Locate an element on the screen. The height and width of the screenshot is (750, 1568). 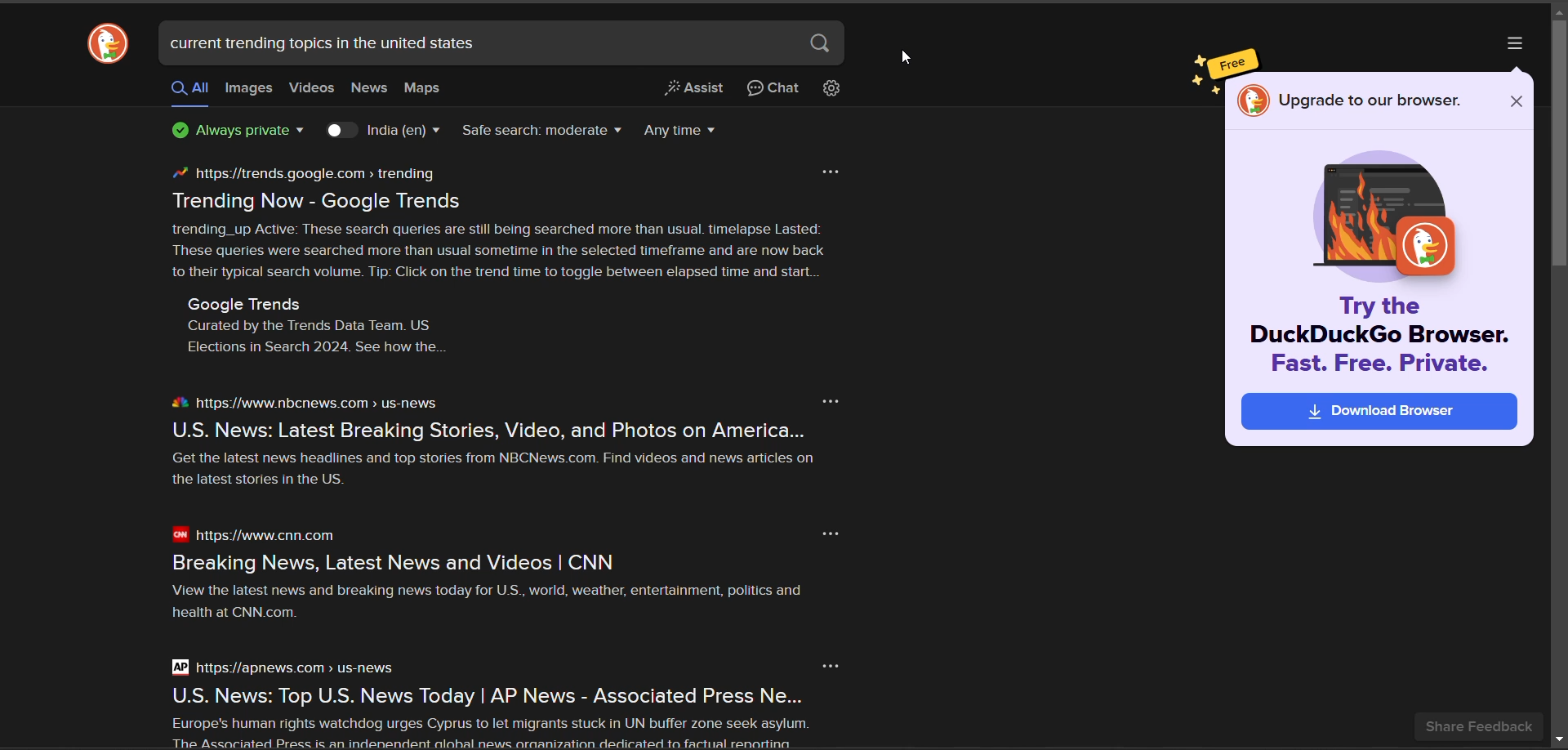
image is located at coordinates (1379, 213).